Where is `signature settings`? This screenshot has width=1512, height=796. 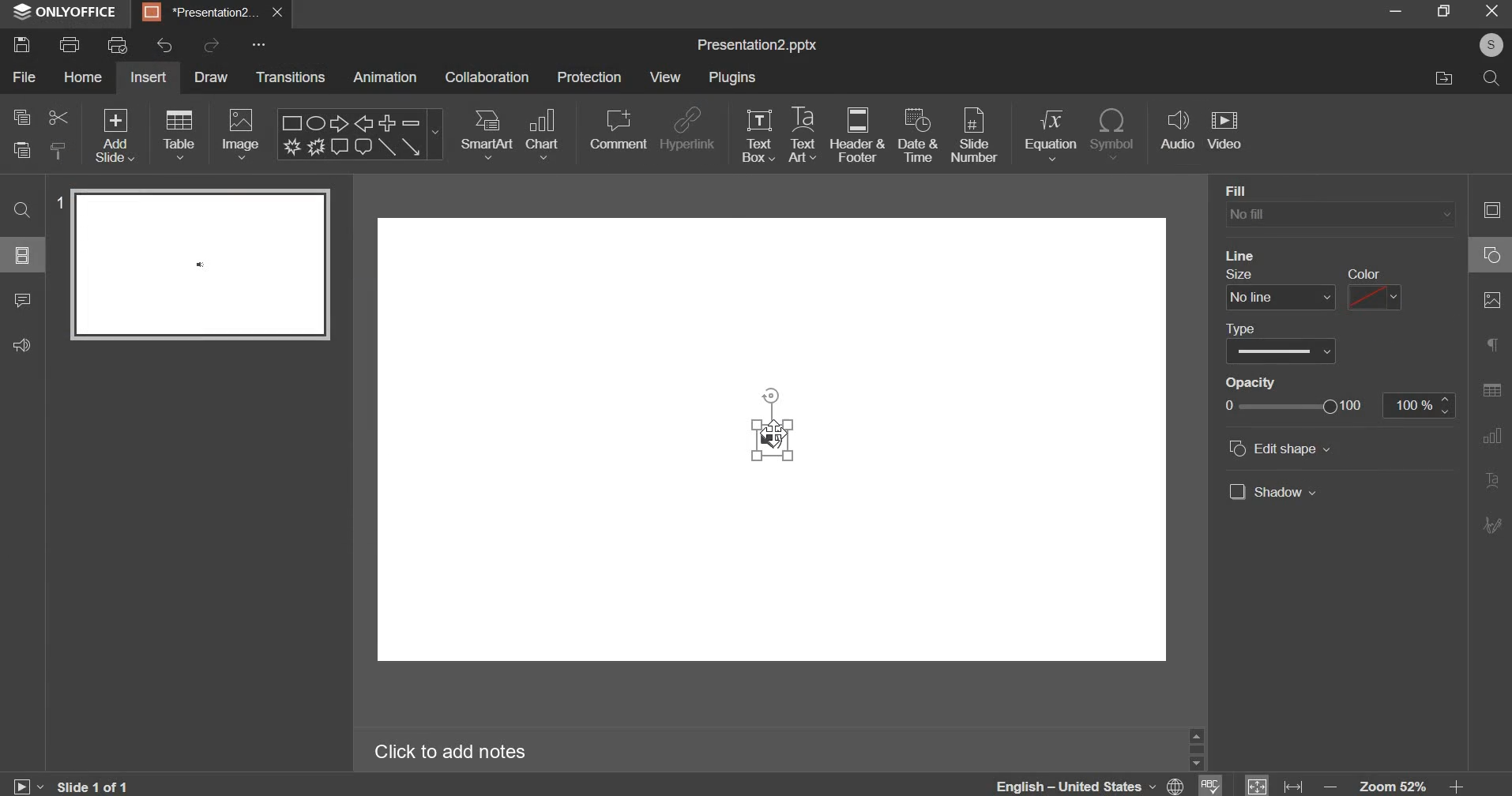 signature settings is located at coordinates (1490, 524).